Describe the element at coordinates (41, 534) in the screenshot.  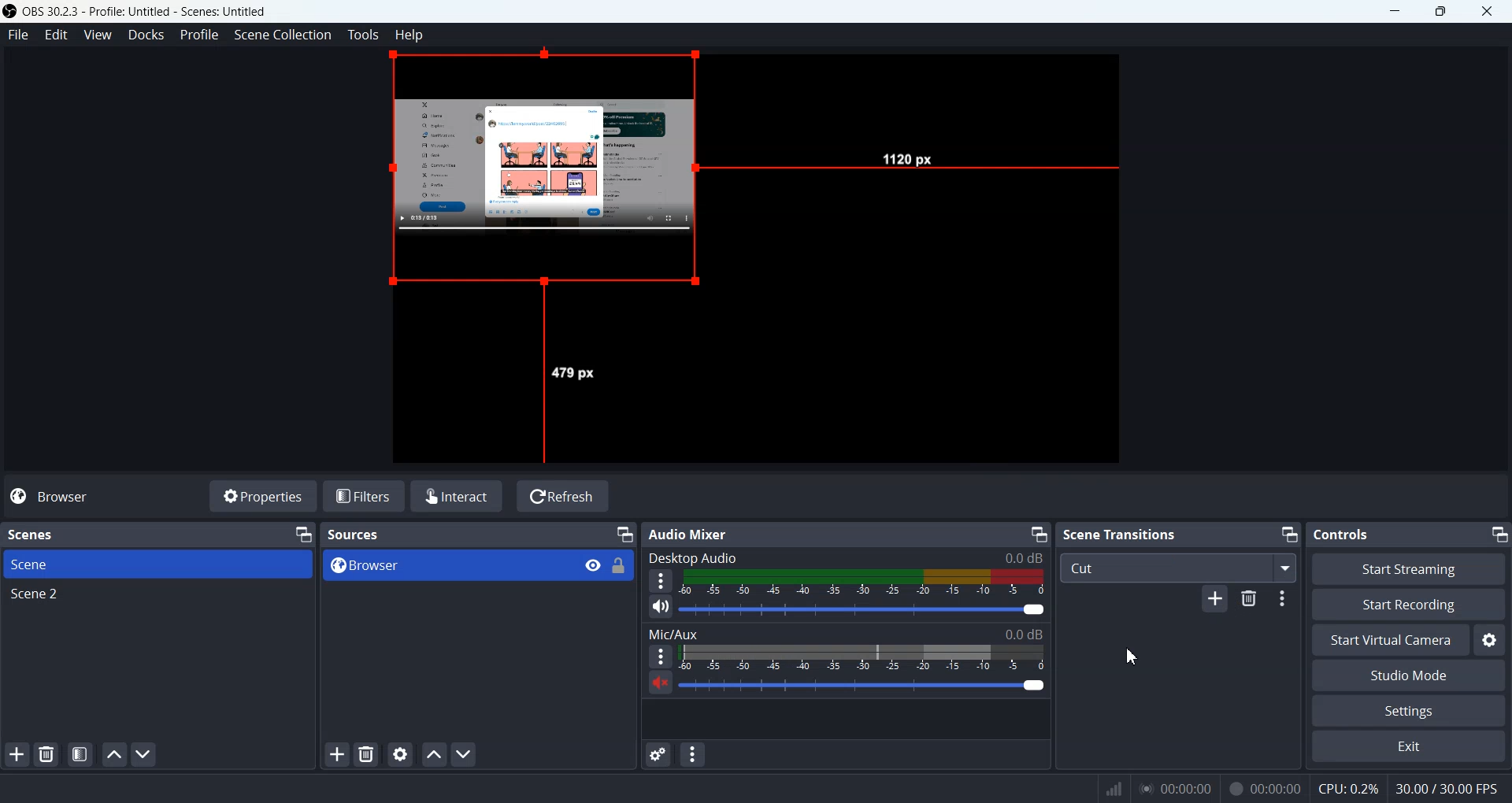
I see `Text` at that location.